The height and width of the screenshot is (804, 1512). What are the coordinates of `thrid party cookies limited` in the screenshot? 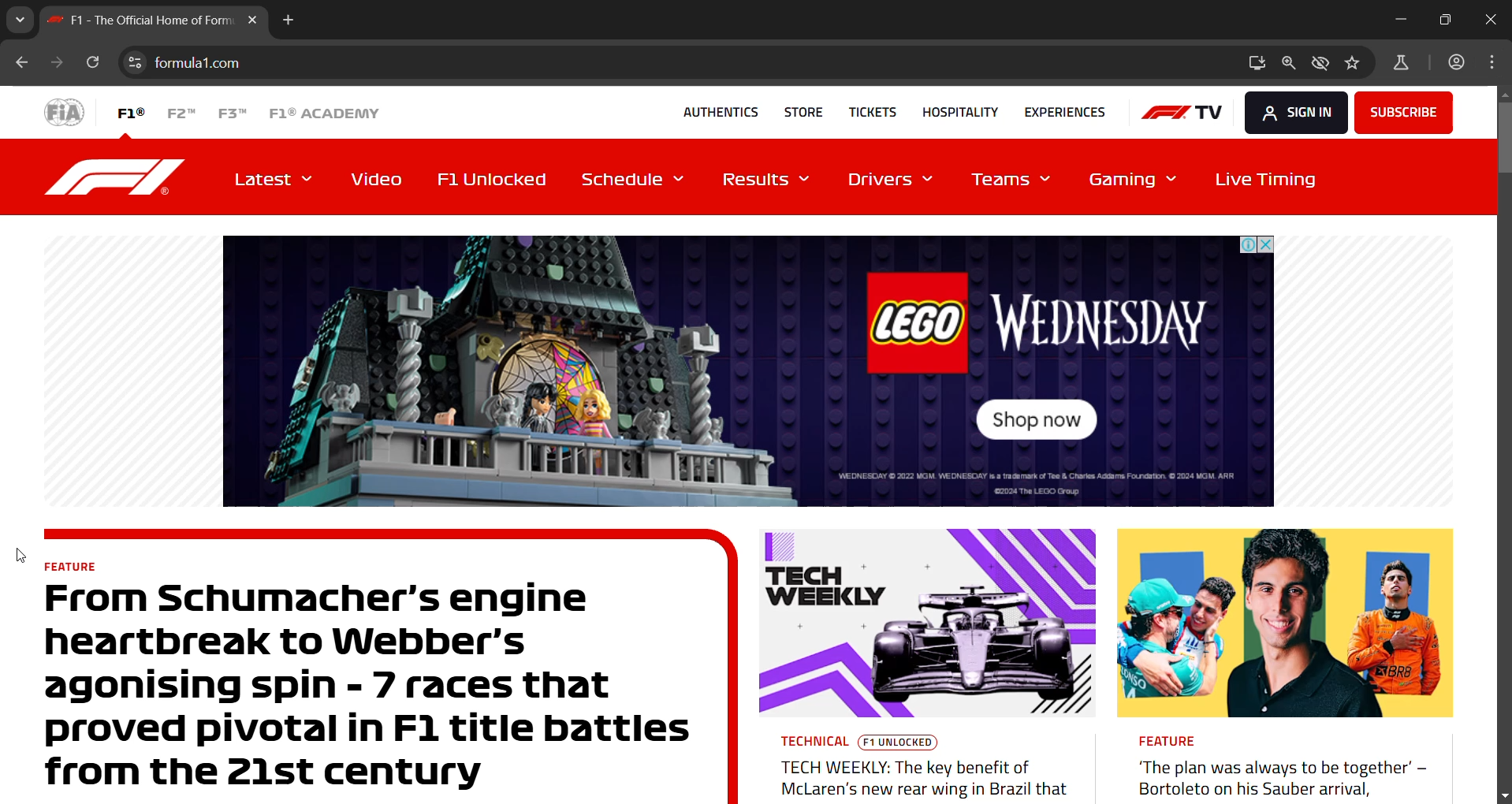 It's located at (1321, 65).